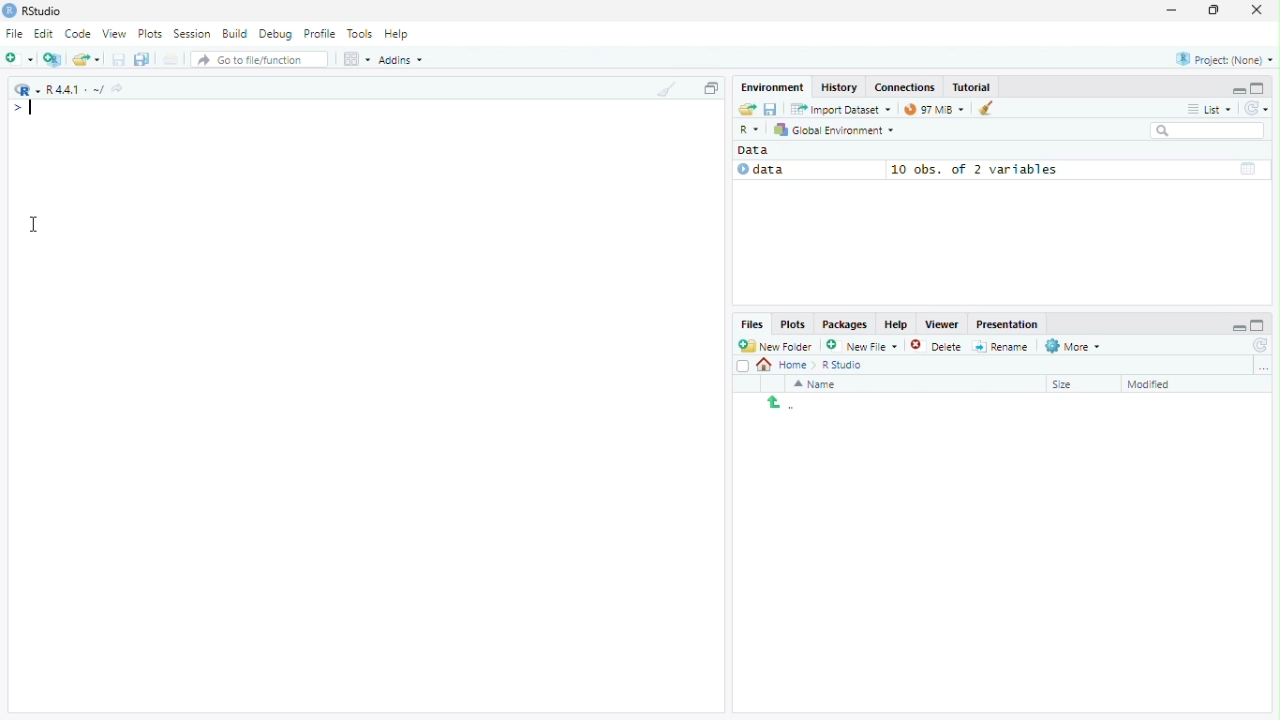 The image size is (1280, 720). I want to click on Plots, so click(153, 33).